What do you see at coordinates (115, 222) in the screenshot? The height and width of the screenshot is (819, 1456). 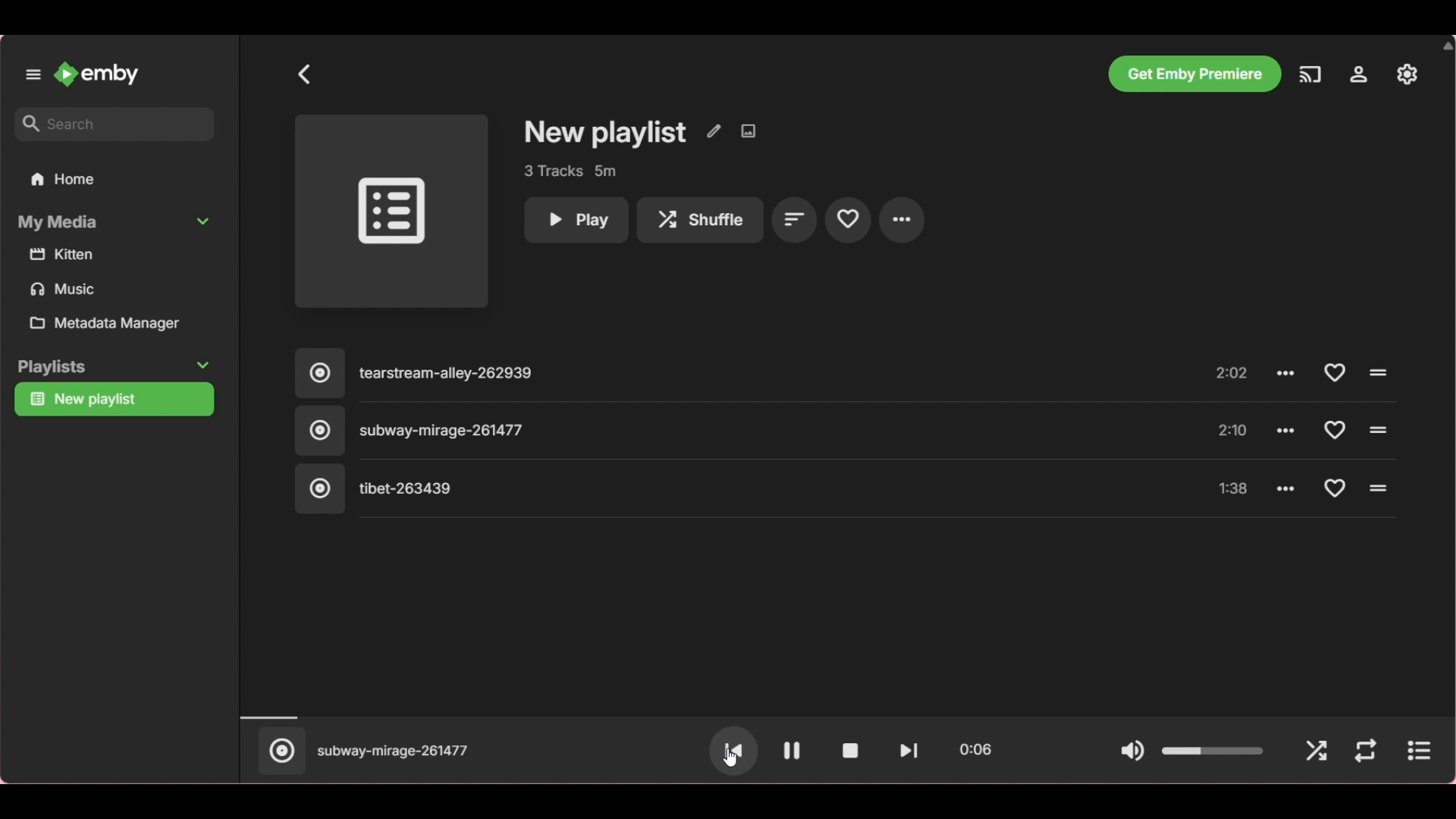 I see `Collapse My Media` at bounding box center [115, 222].